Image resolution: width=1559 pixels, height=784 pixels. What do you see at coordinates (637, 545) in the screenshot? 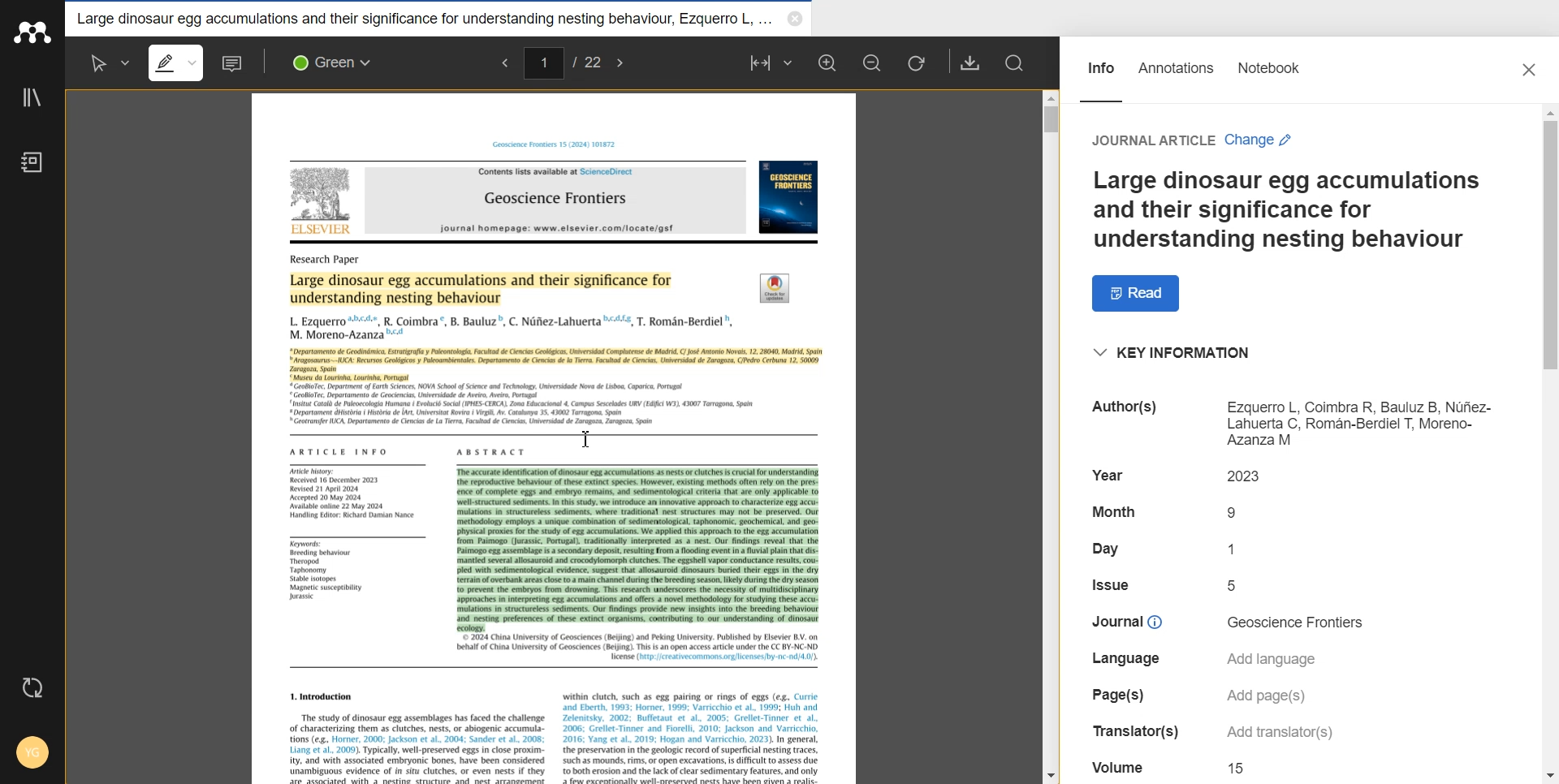
I see `Highlighted Text` at bounding box center [637, 545].